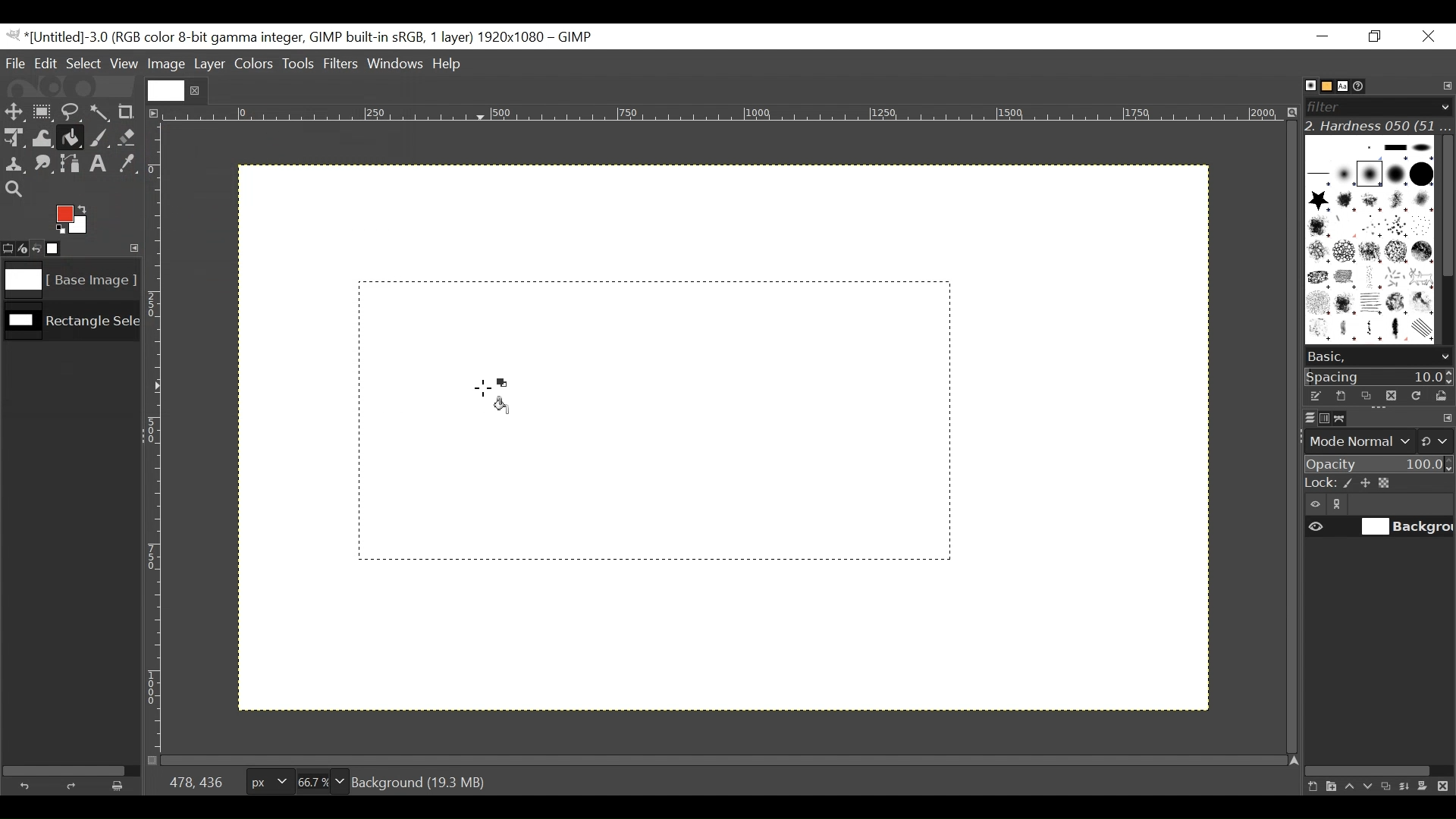 The height and width of the screenshot is (819, 1456). I want to click on Text tool, so click(101, 165).